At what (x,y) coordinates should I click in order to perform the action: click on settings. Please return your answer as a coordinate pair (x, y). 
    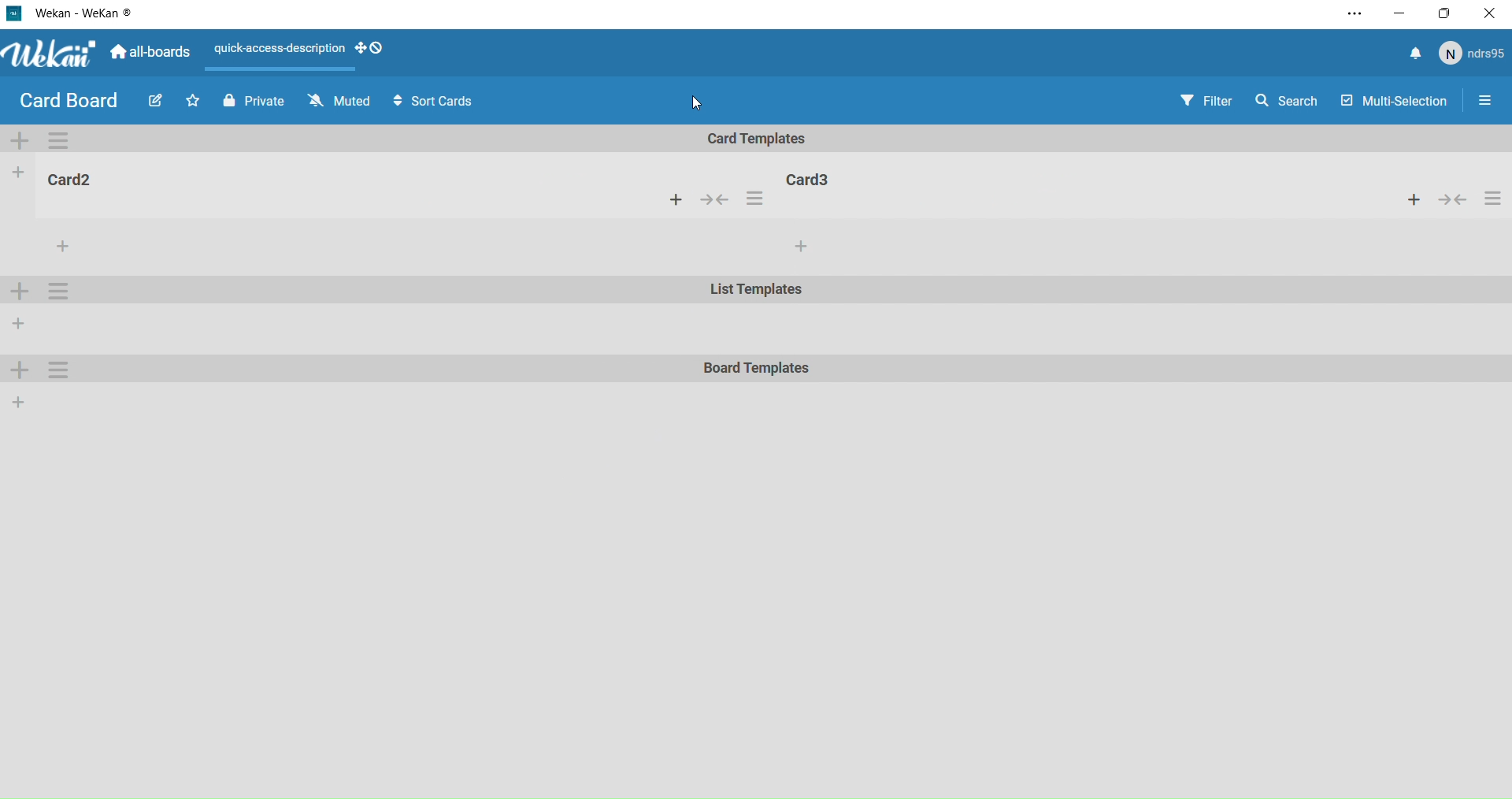
    Looking at the image, I should click on (55, 289).